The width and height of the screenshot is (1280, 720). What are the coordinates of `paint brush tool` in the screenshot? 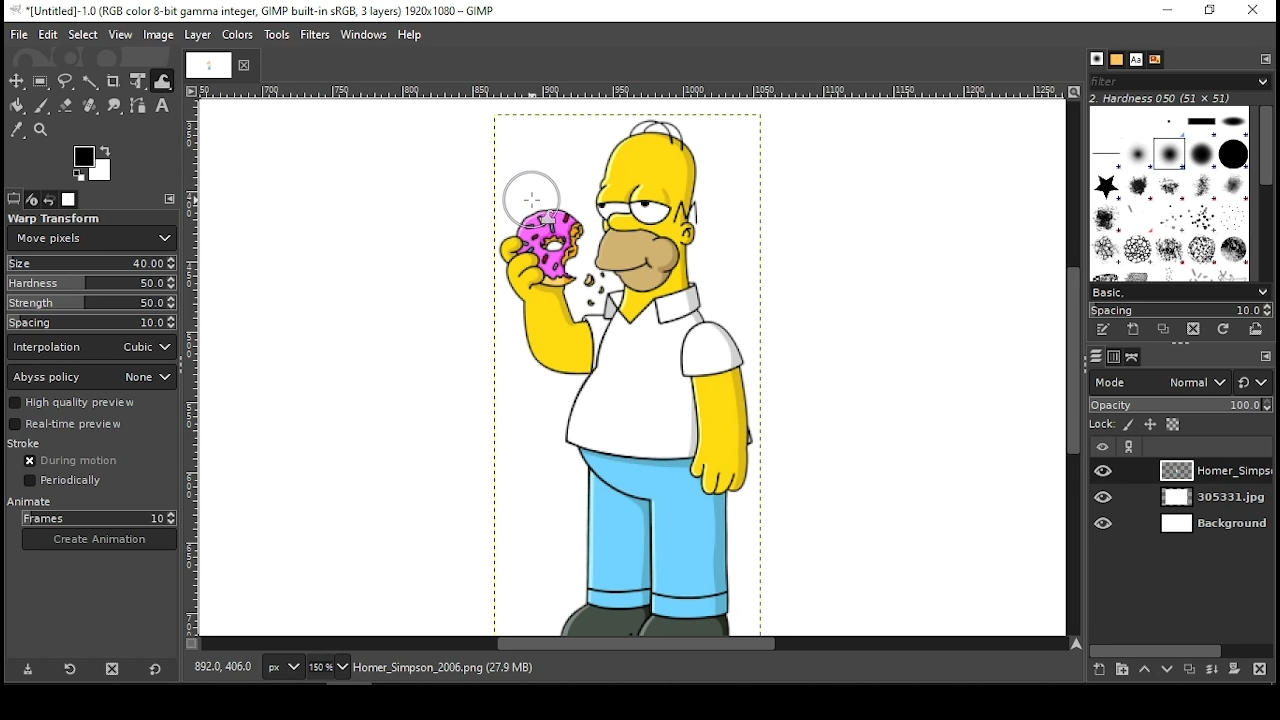 It's located at (44, 104).